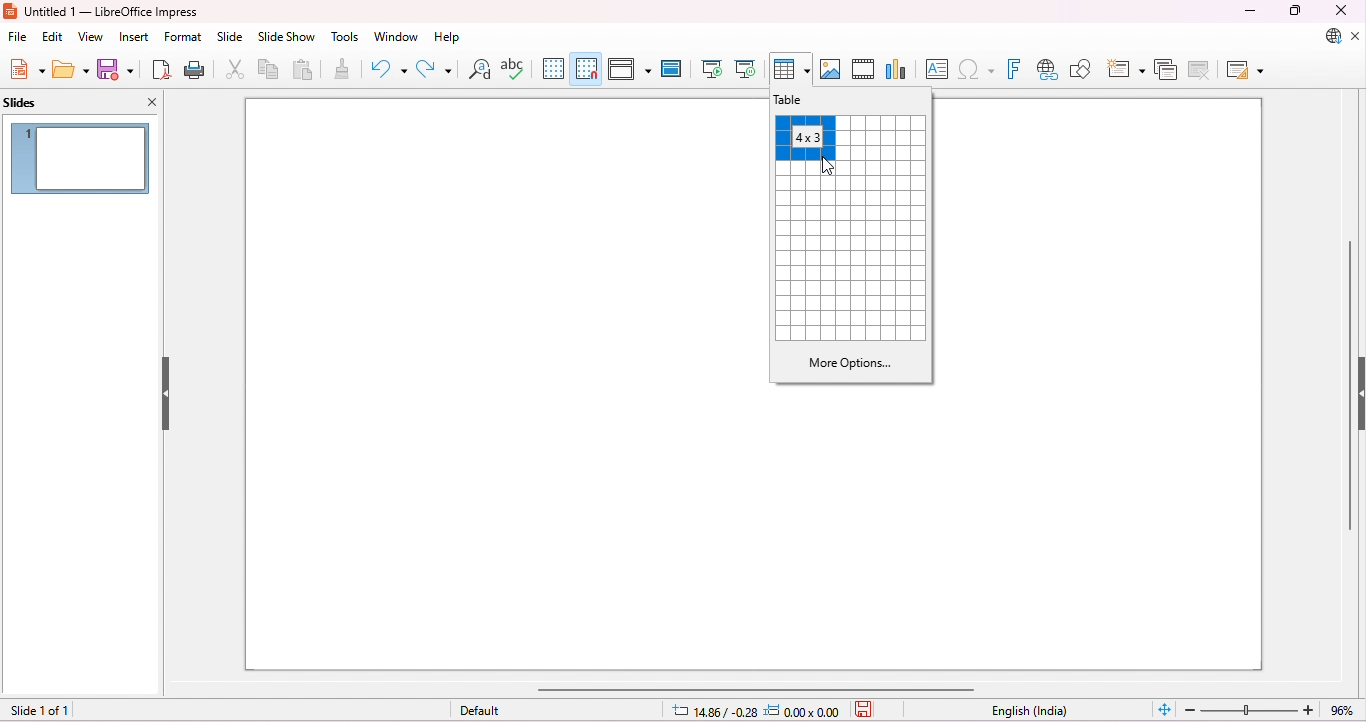 The image size is (1366, 722). Describe the element at coordinates (849, 363) in the screenshot. I see `more options` at that location.